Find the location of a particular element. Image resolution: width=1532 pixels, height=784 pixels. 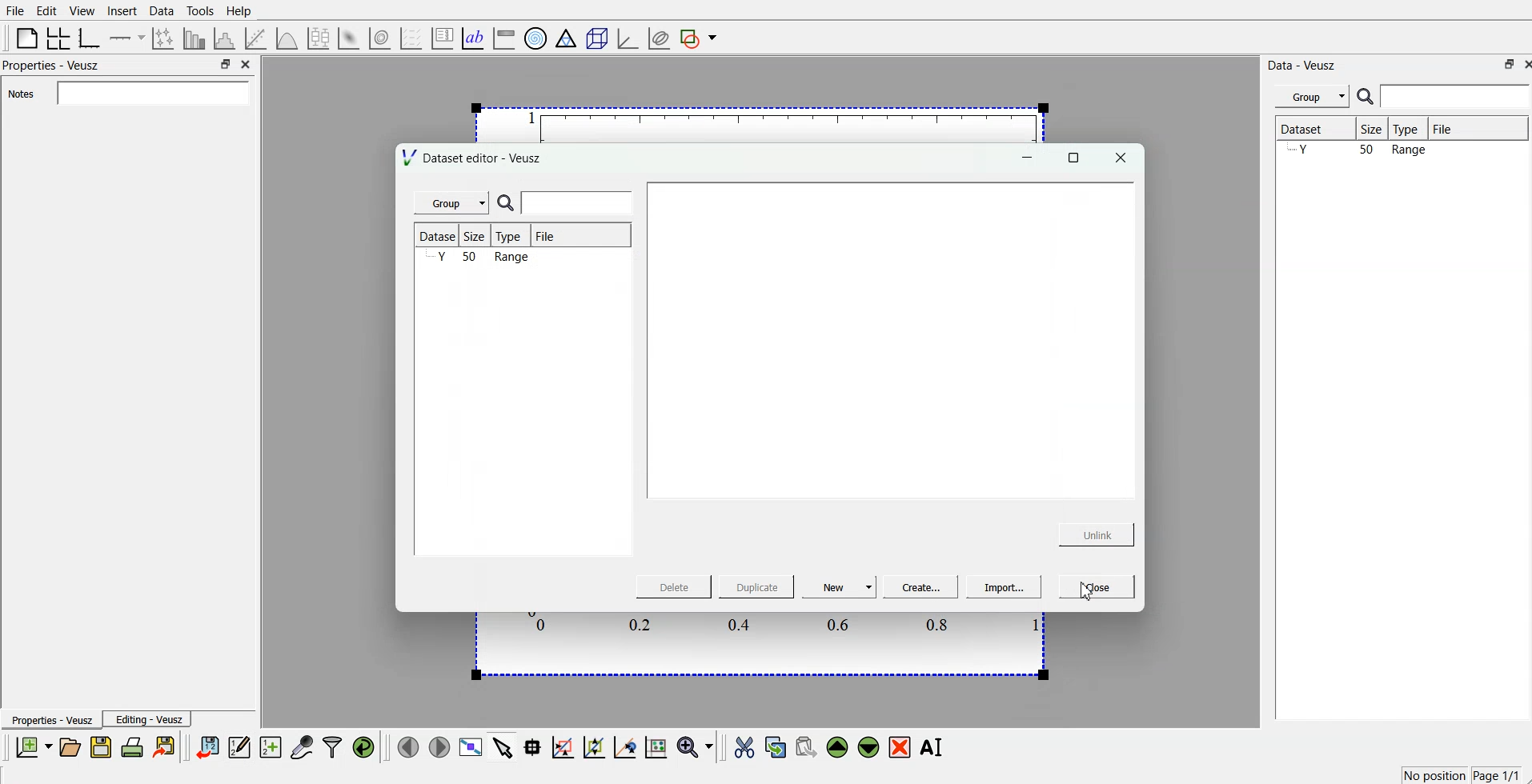

move the selected widgets down is located at coordinates (868, 747).